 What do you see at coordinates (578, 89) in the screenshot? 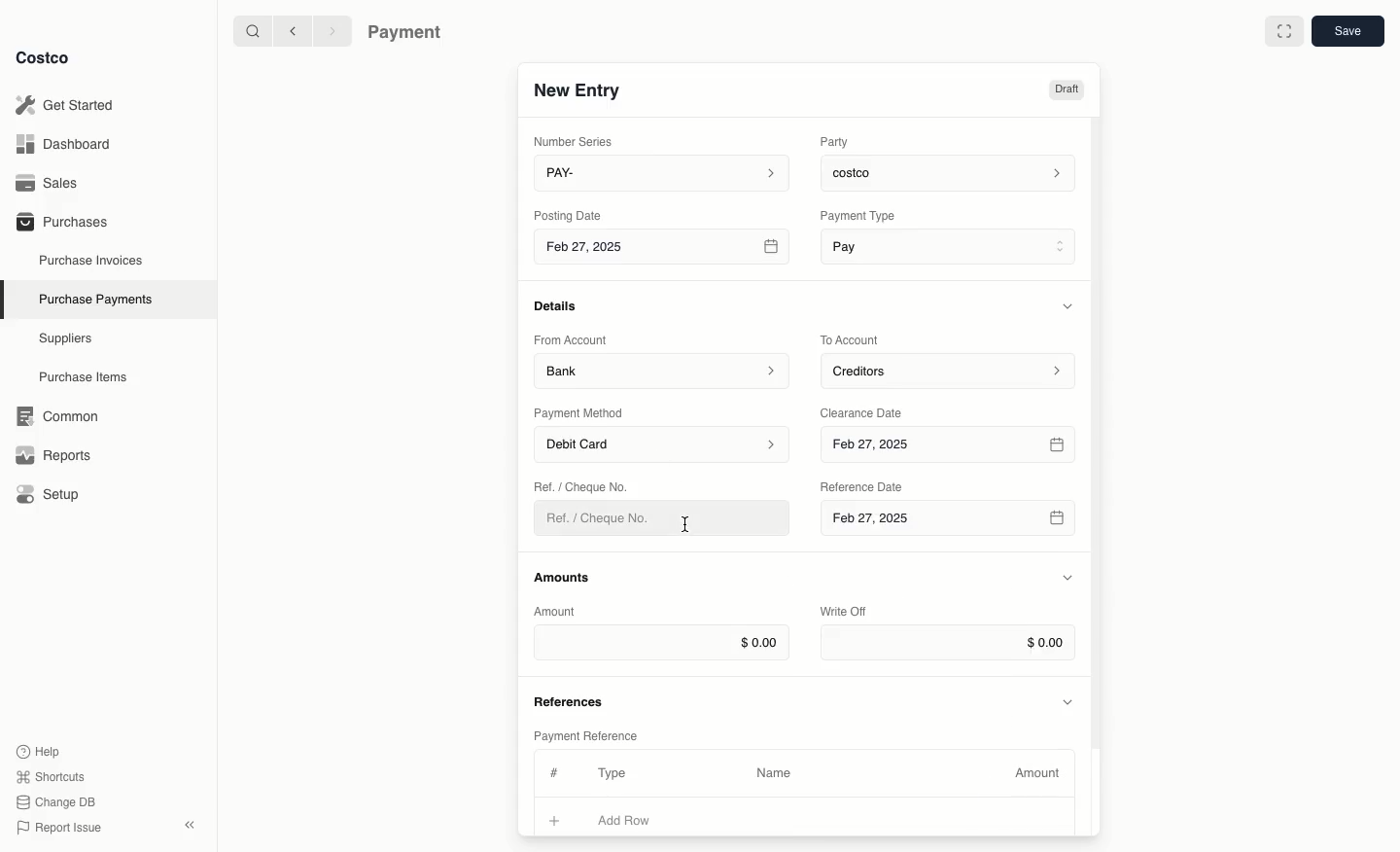
I see `New Entry` at bounding box center [578, 89].